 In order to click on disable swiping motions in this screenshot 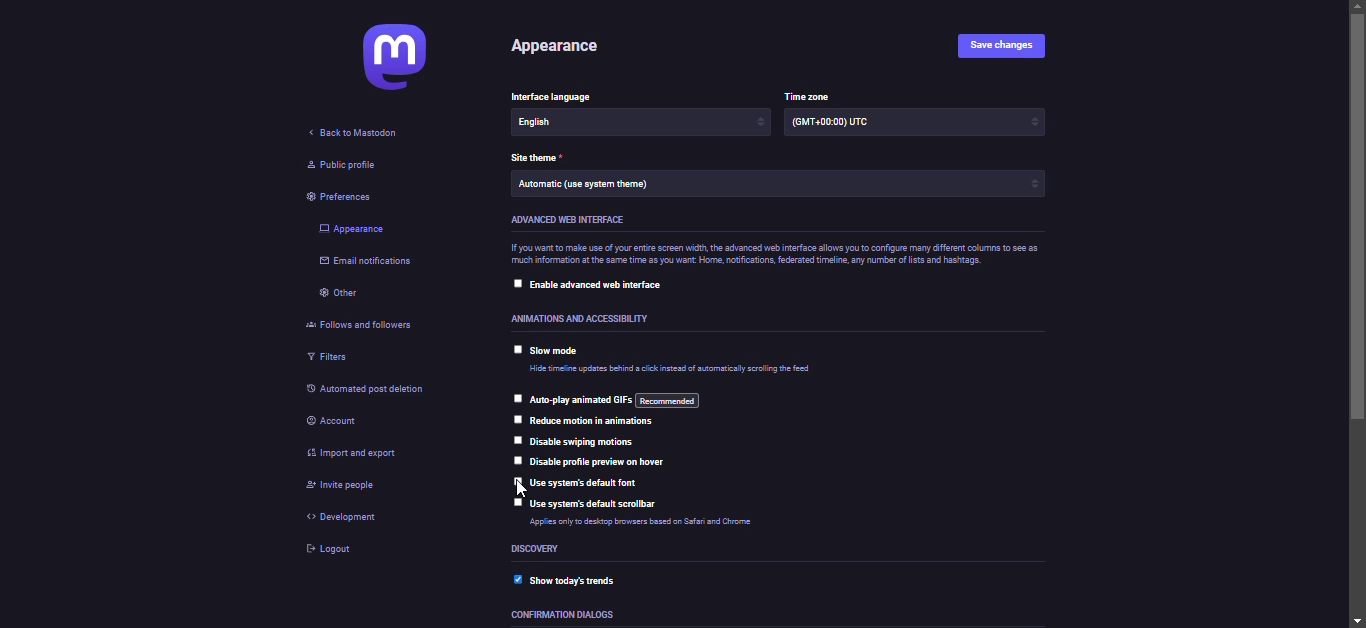, I will do `click(583, 441)`.